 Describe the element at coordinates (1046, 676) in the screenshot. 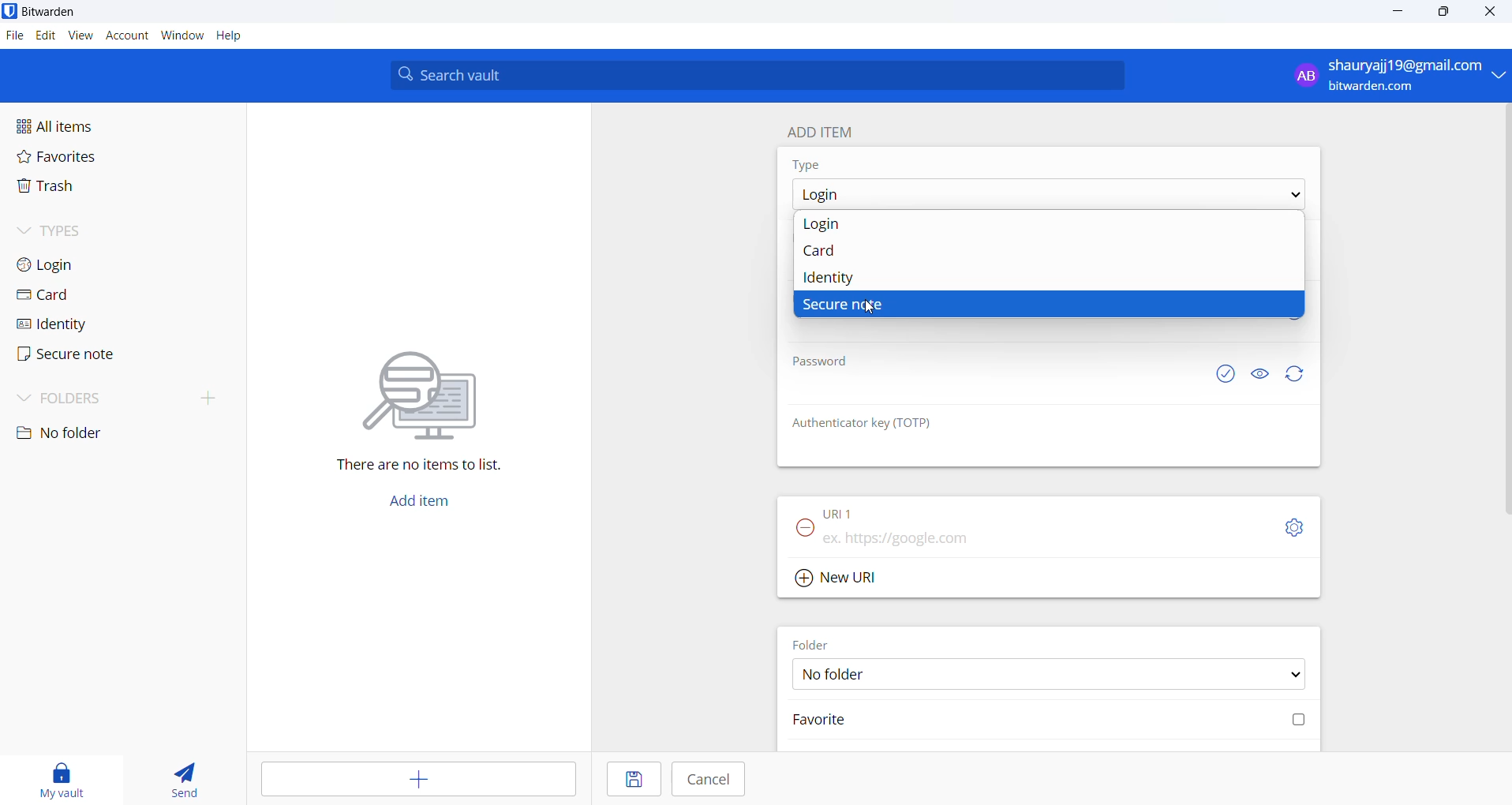

I see `folder options` at that location.